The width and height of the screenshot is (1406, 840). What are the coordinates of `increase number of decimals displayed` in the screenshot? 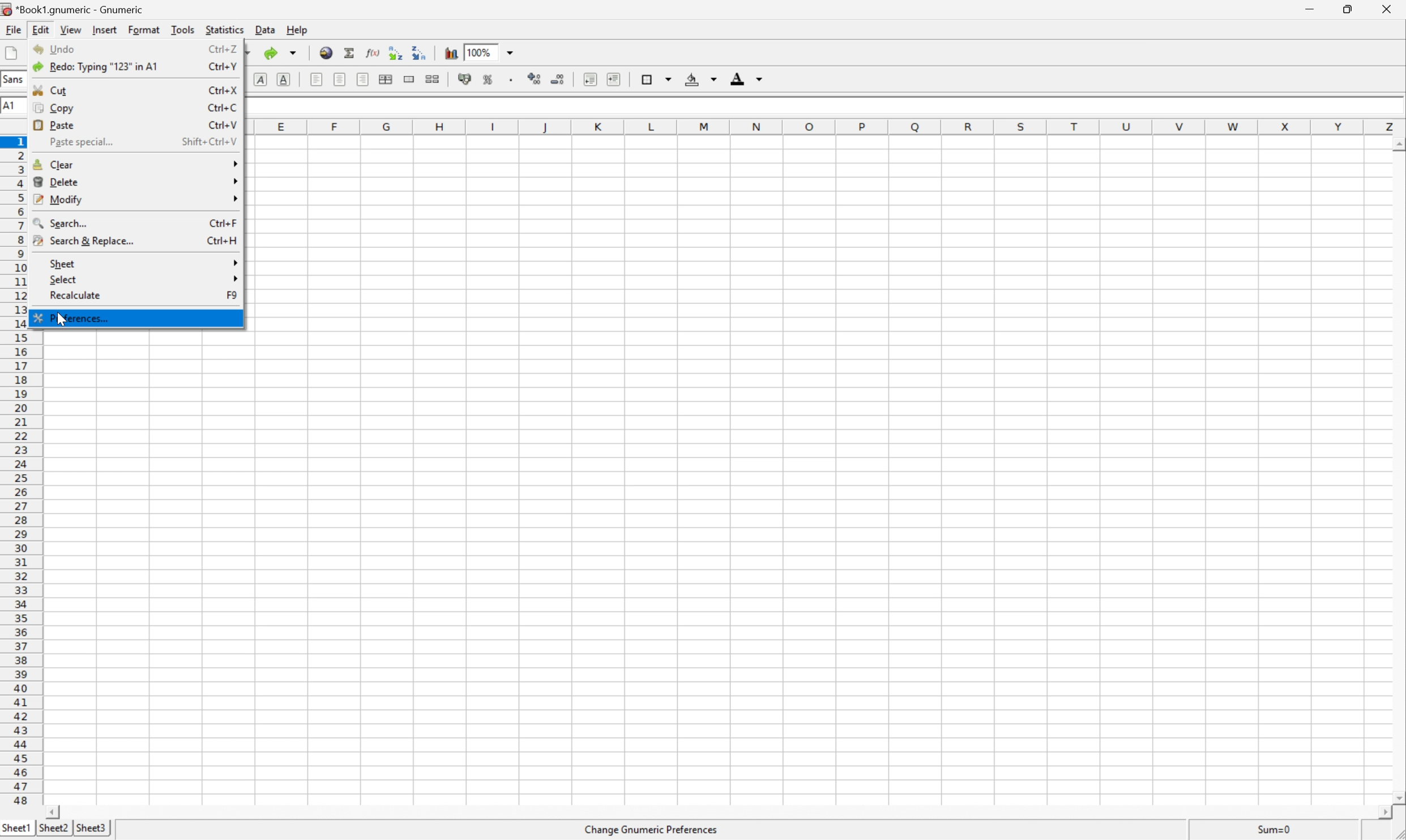 It's located at (535, 79).